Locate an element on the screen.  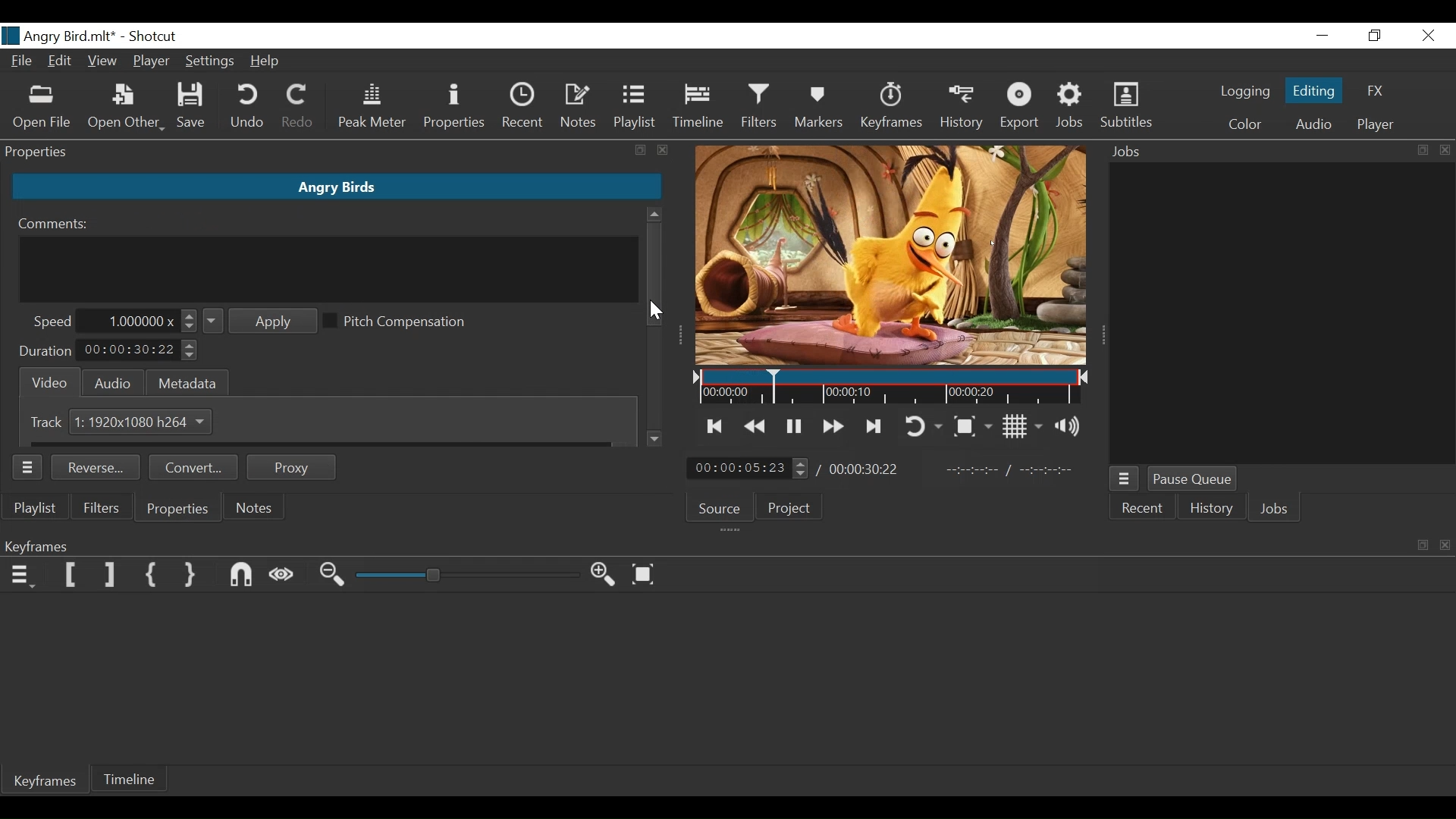
File is located at coordinates (21, 60).